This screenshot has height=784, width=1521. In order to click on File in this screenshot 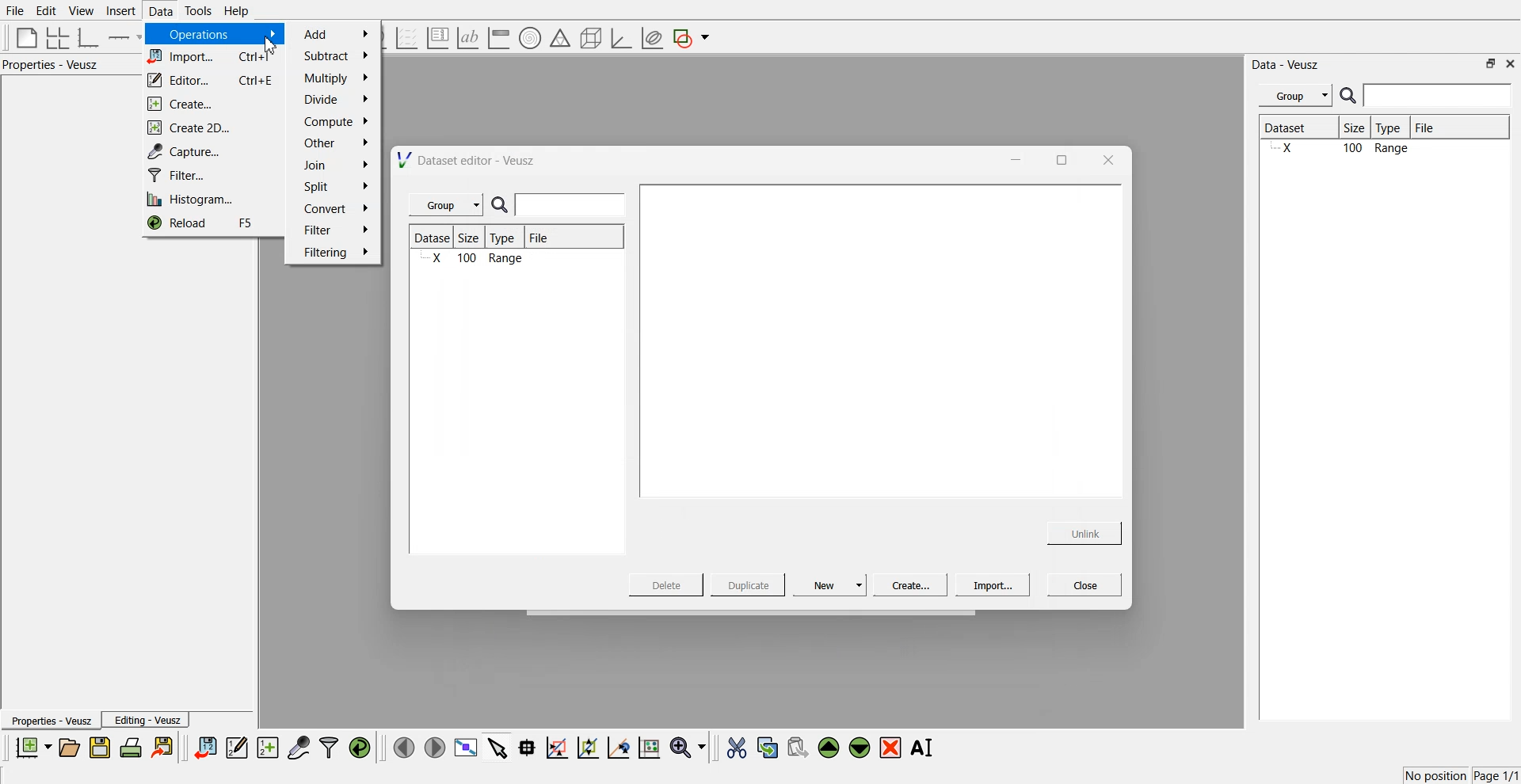, I will do `click(540, 240)`.